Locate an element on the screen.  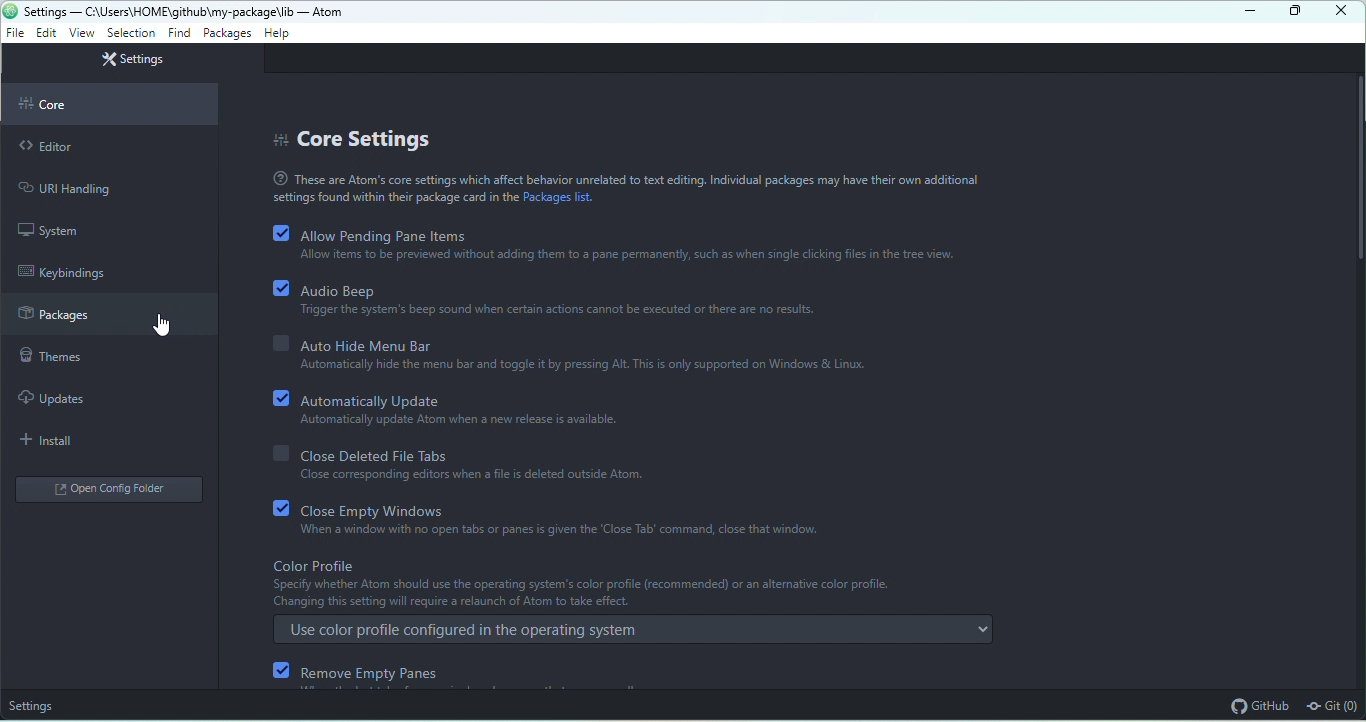
selection is located at coordinates (132, 33).